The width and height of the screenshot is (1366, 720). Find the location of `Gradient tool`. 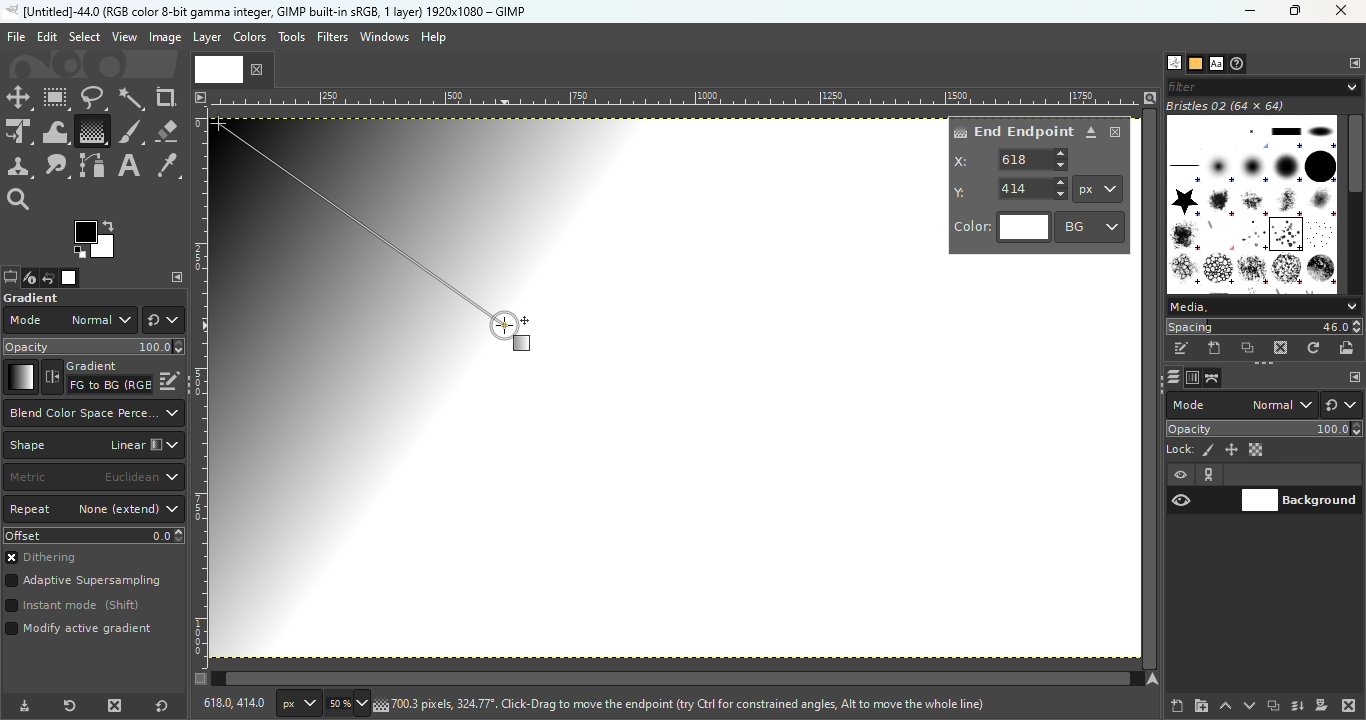

Gradient tool is located at coordinates (91, 131).